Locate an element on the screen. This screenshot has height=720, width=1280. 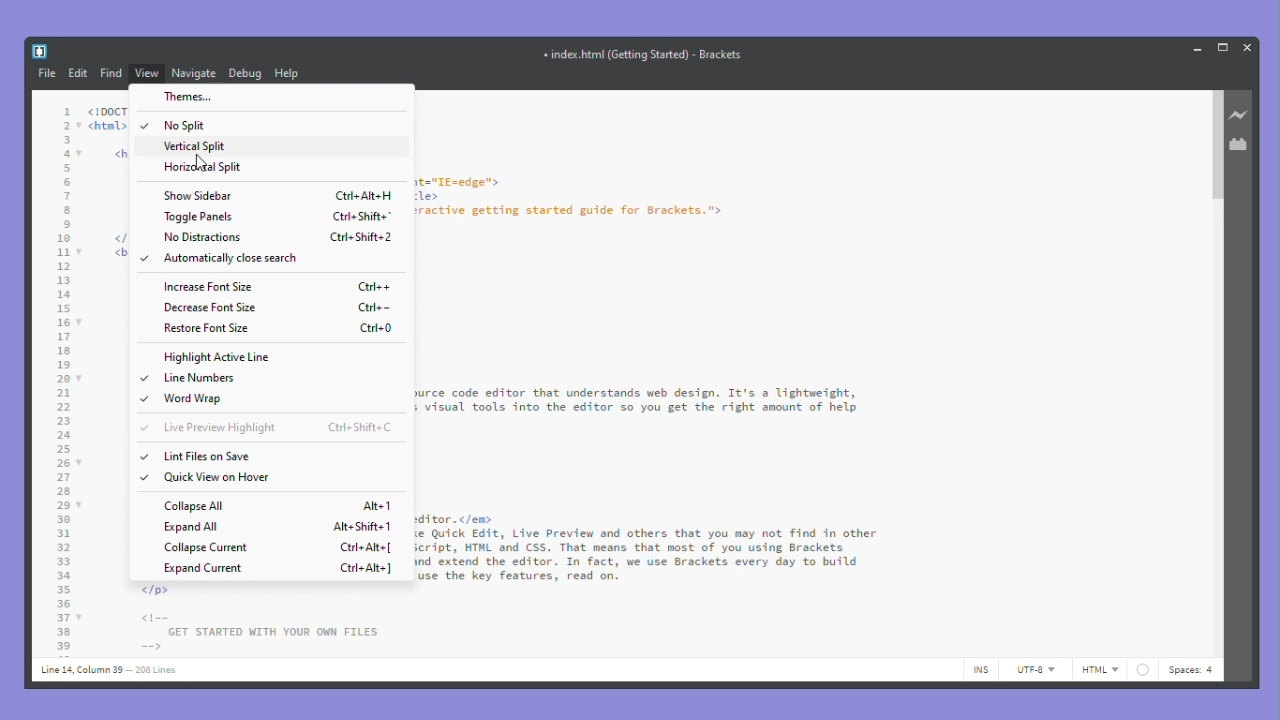
code fold is located at coordinates (81, 462).